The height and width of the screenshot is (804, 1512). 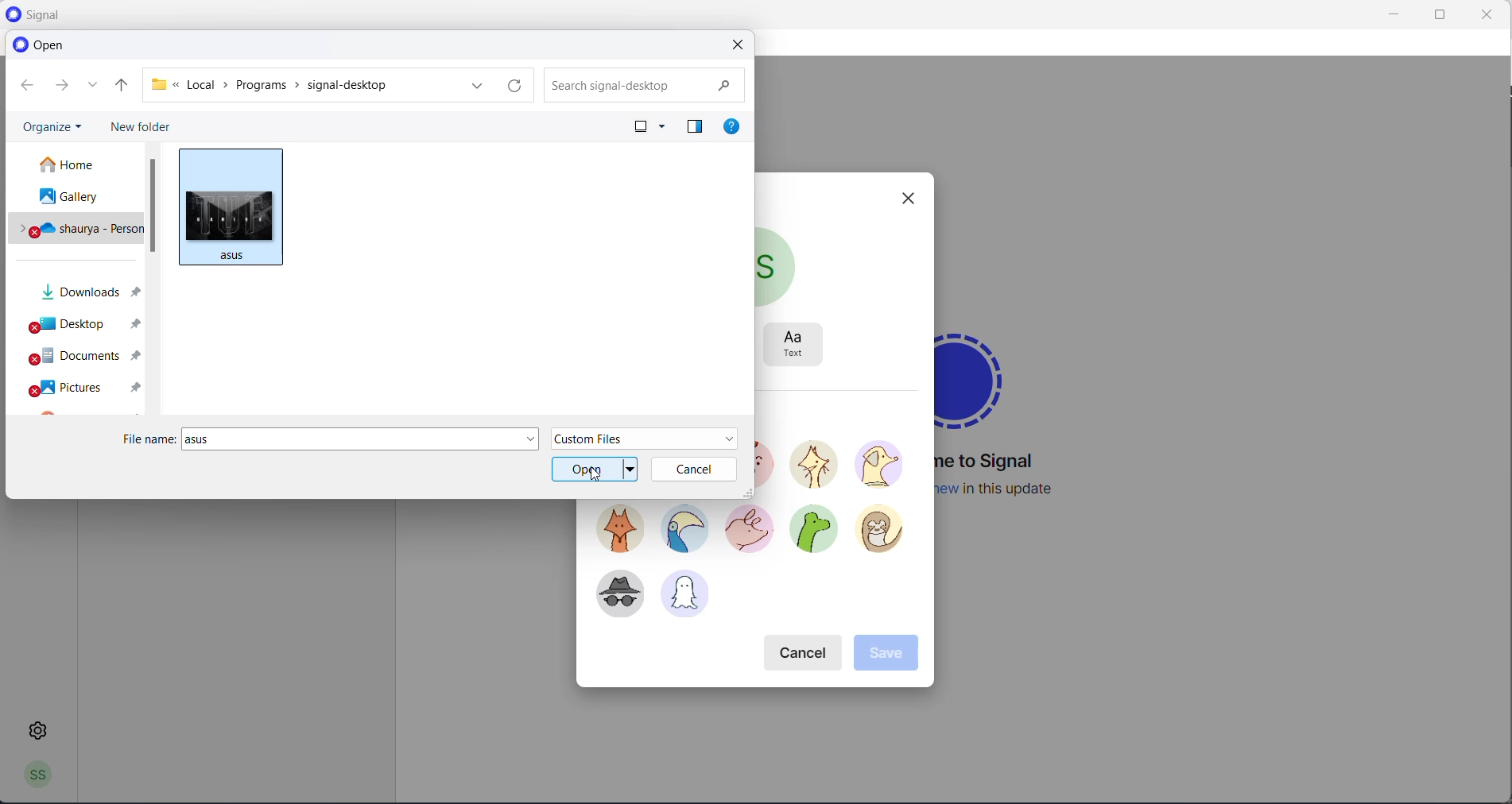 I want to click on desktop, so click(x=87, y=328).